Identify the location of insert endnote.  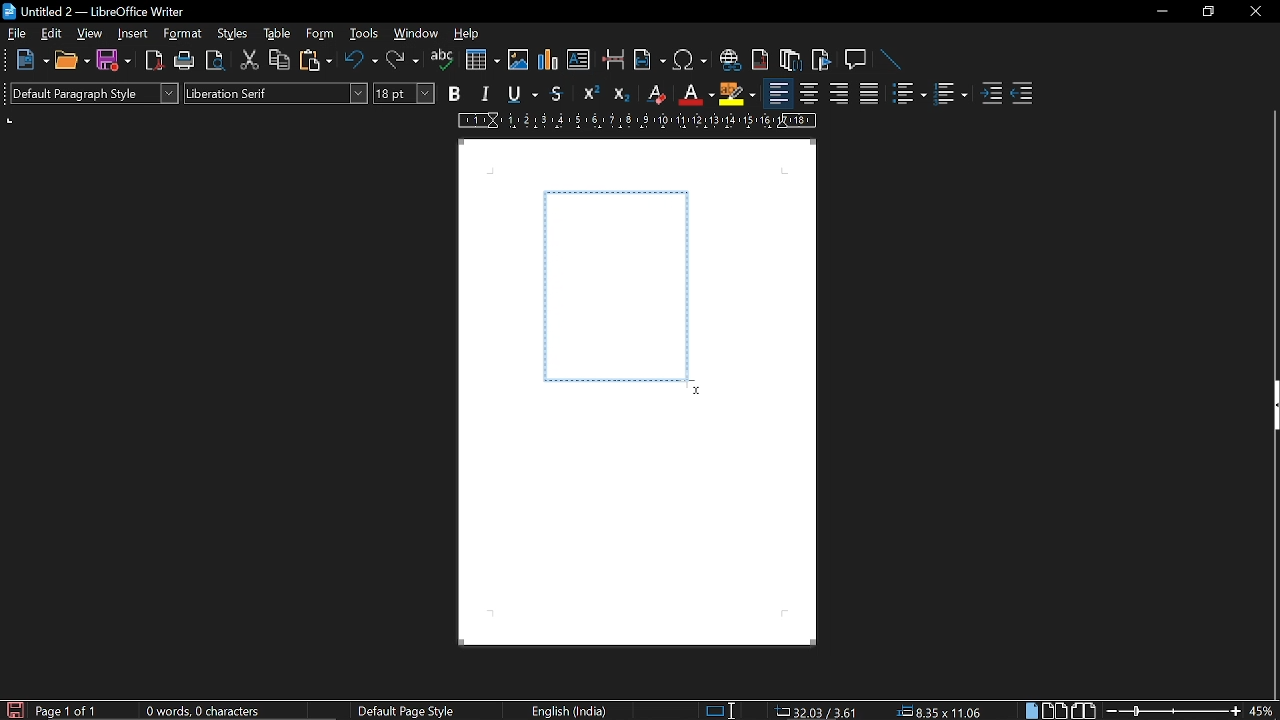
(789, 62).